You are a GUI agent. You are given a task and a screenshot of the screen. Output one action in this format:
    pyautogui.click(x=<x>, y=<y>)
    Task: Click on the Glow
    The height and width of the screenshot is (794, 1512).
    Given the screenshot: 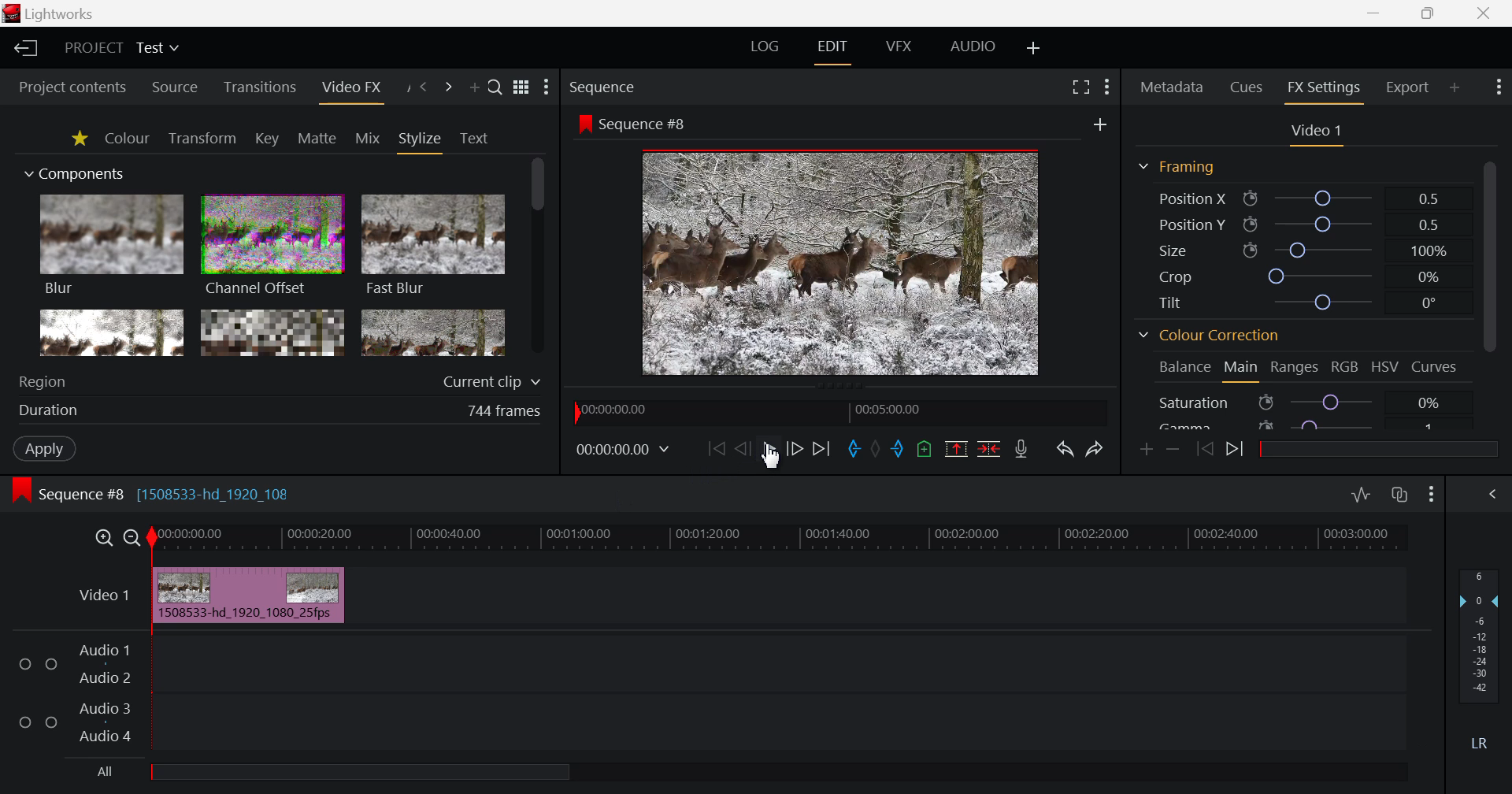 What is the action you would take?
    pyautogui.click(x=113, y=333)
    